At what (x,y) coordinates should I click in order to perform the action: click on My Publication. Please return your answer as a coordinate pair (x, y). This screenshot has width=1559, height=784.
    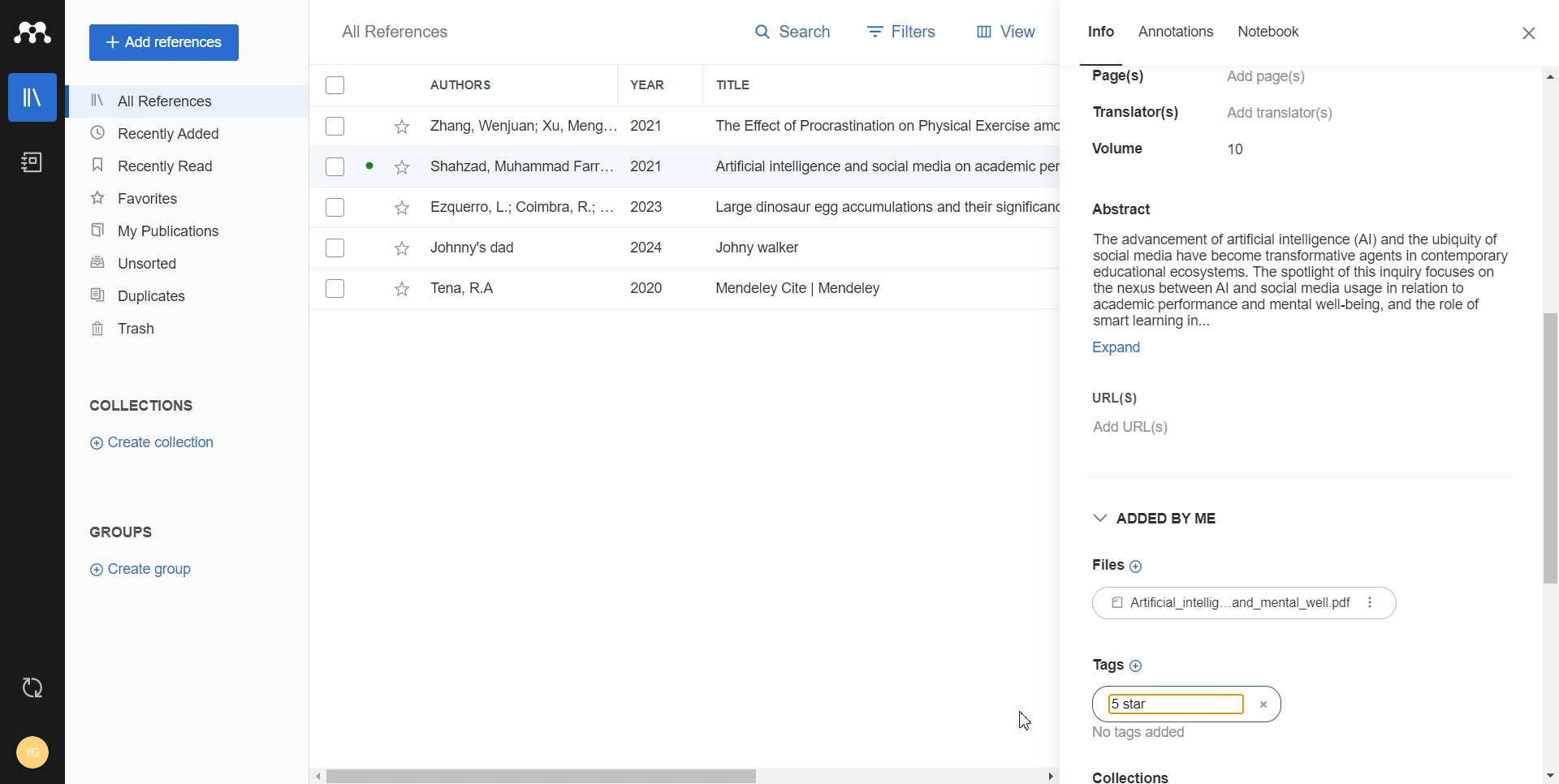
    Looking at the image, I should click on (184, 227).